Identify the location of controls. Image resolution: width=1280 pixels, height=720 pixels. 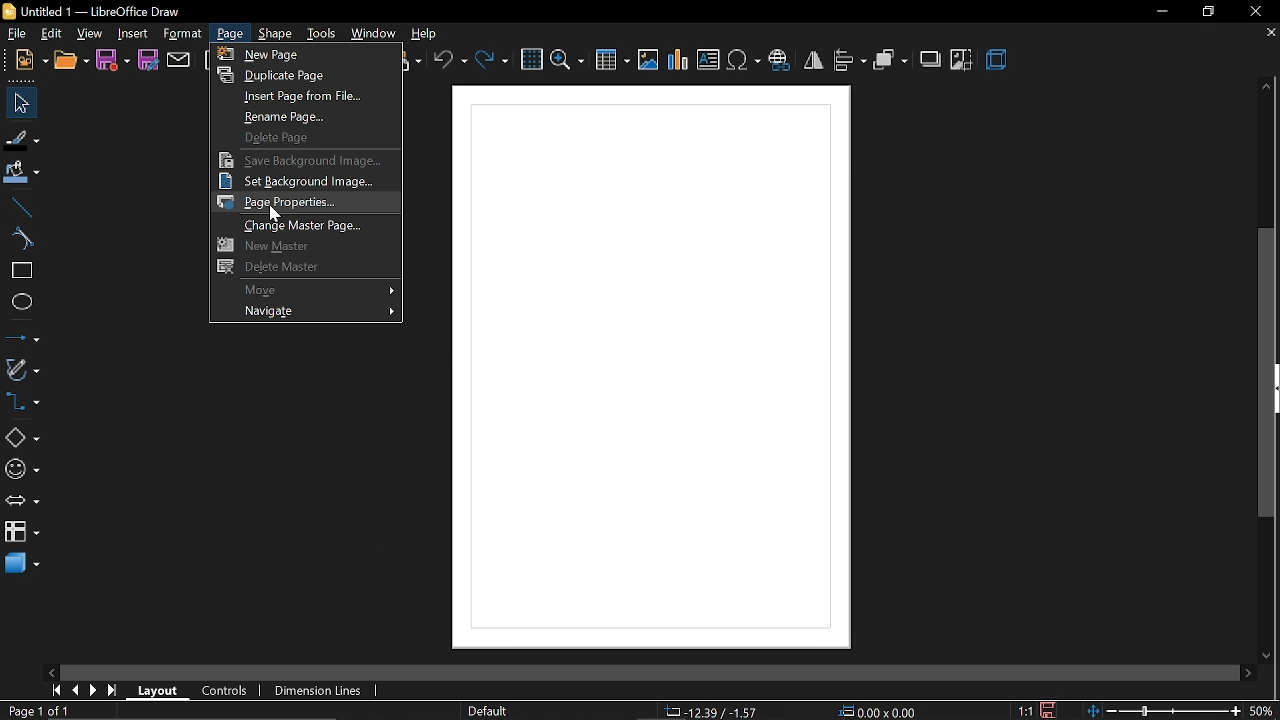
(225, 689).